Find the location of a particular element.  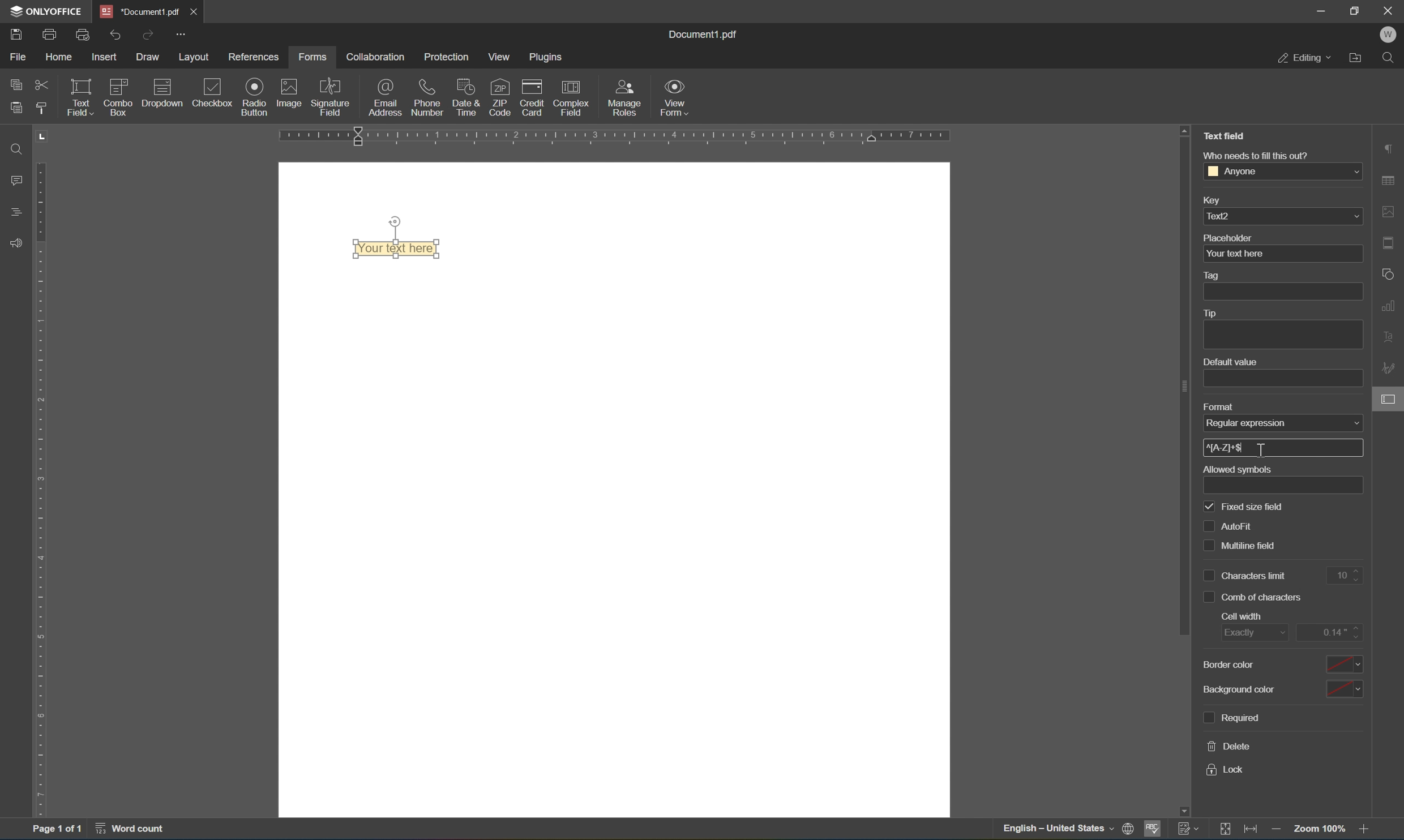

draw is located at coordinates (149, 58).